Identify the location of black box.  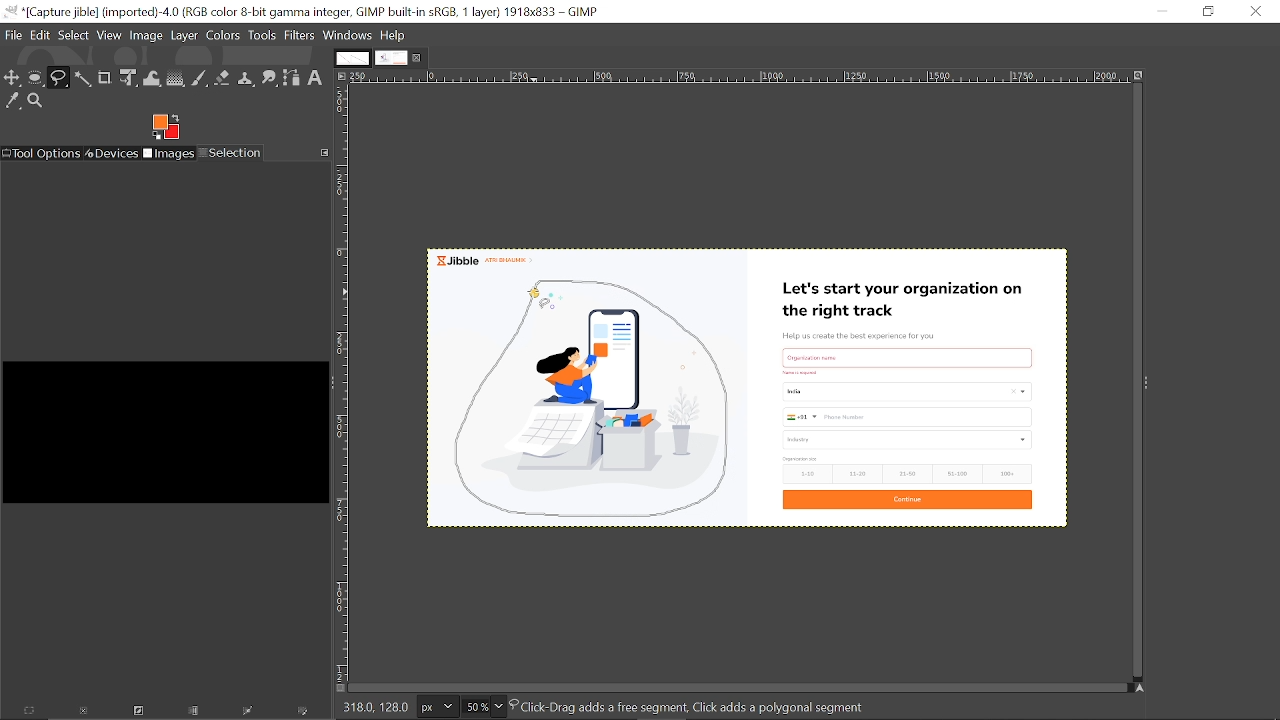
(163, 424).